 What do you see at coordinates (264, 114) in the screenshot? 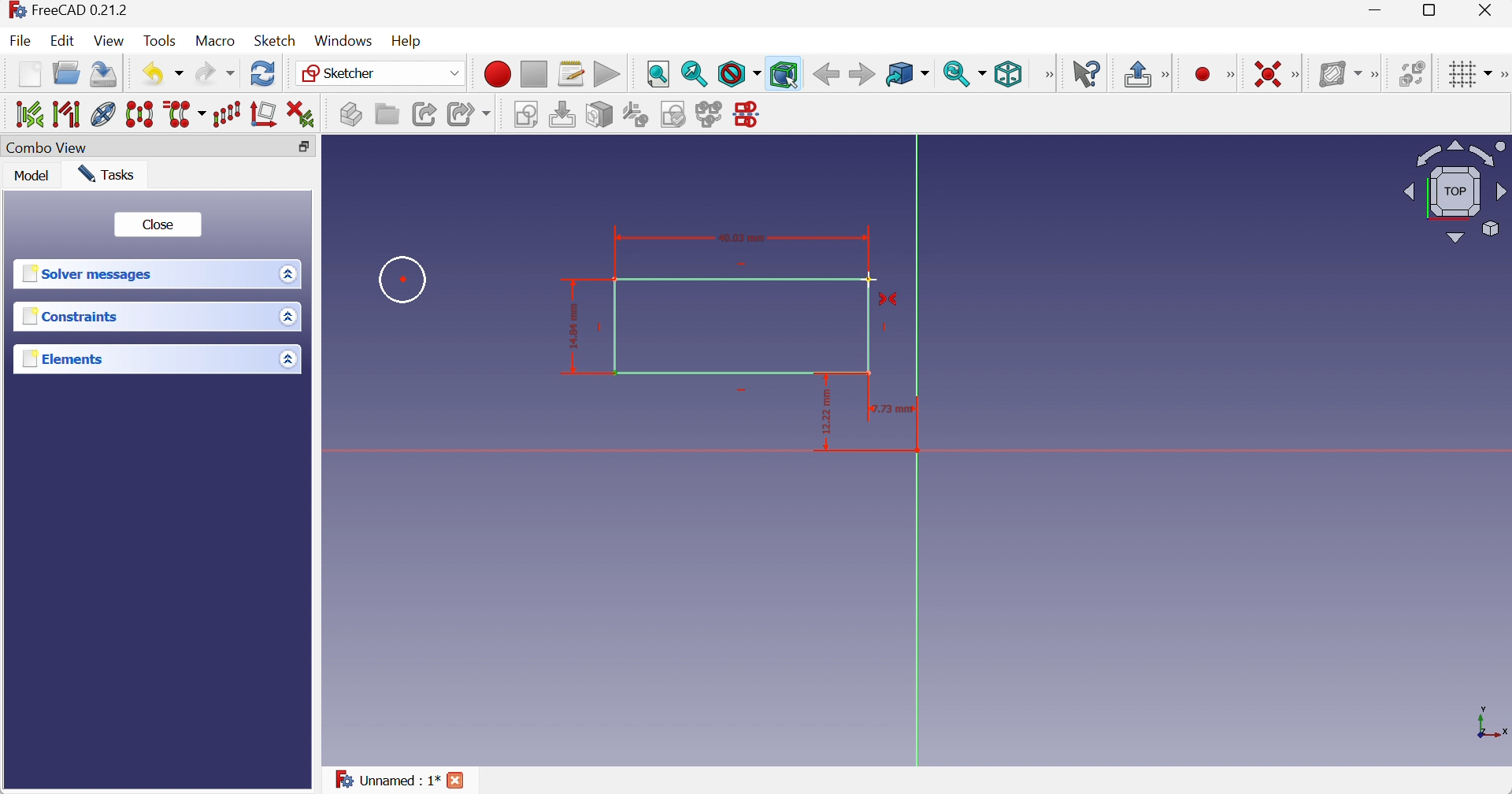
I see `Remove axes alignment` at bounding box center [264, 114].